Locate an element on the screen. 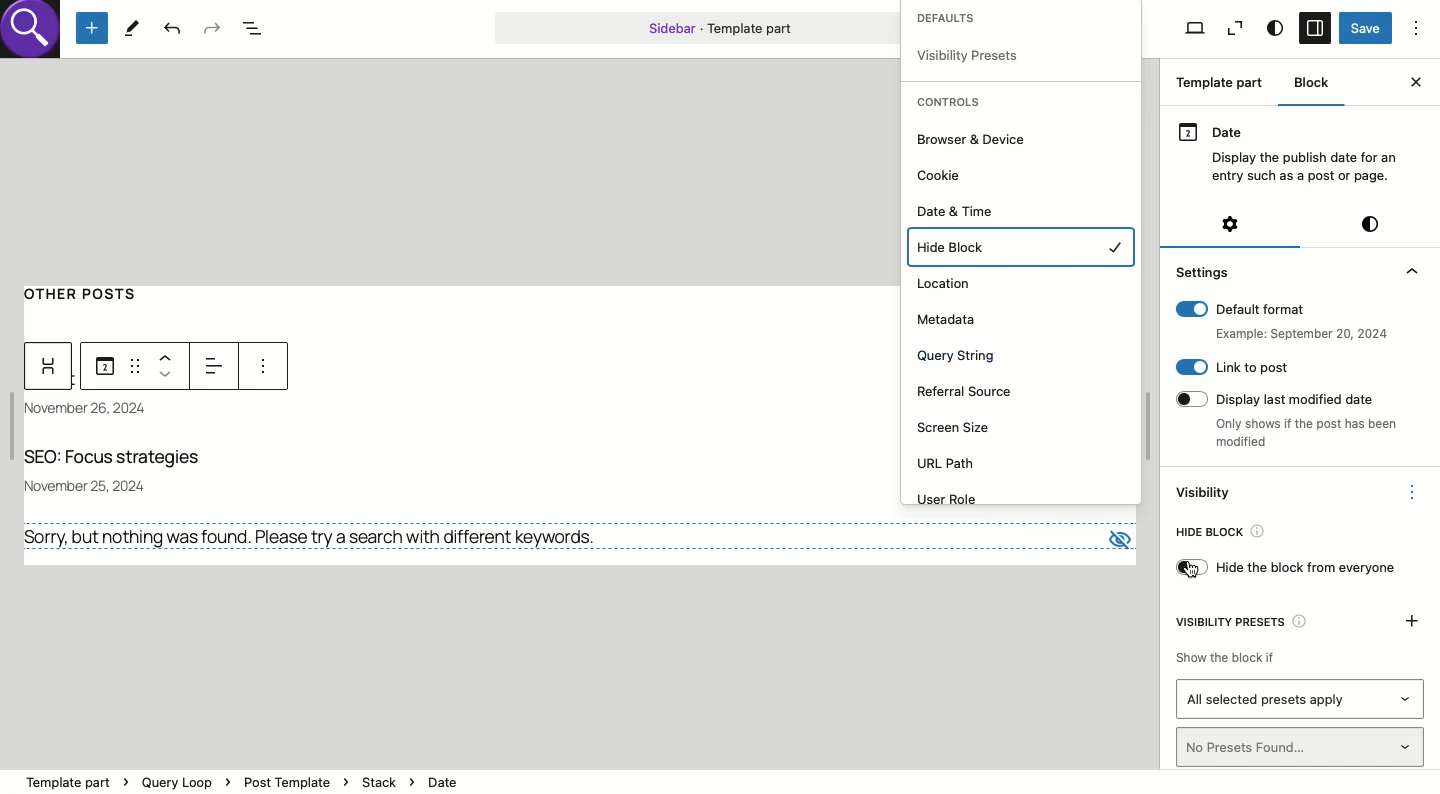  Left alignment is located at coordinates (217, 363).